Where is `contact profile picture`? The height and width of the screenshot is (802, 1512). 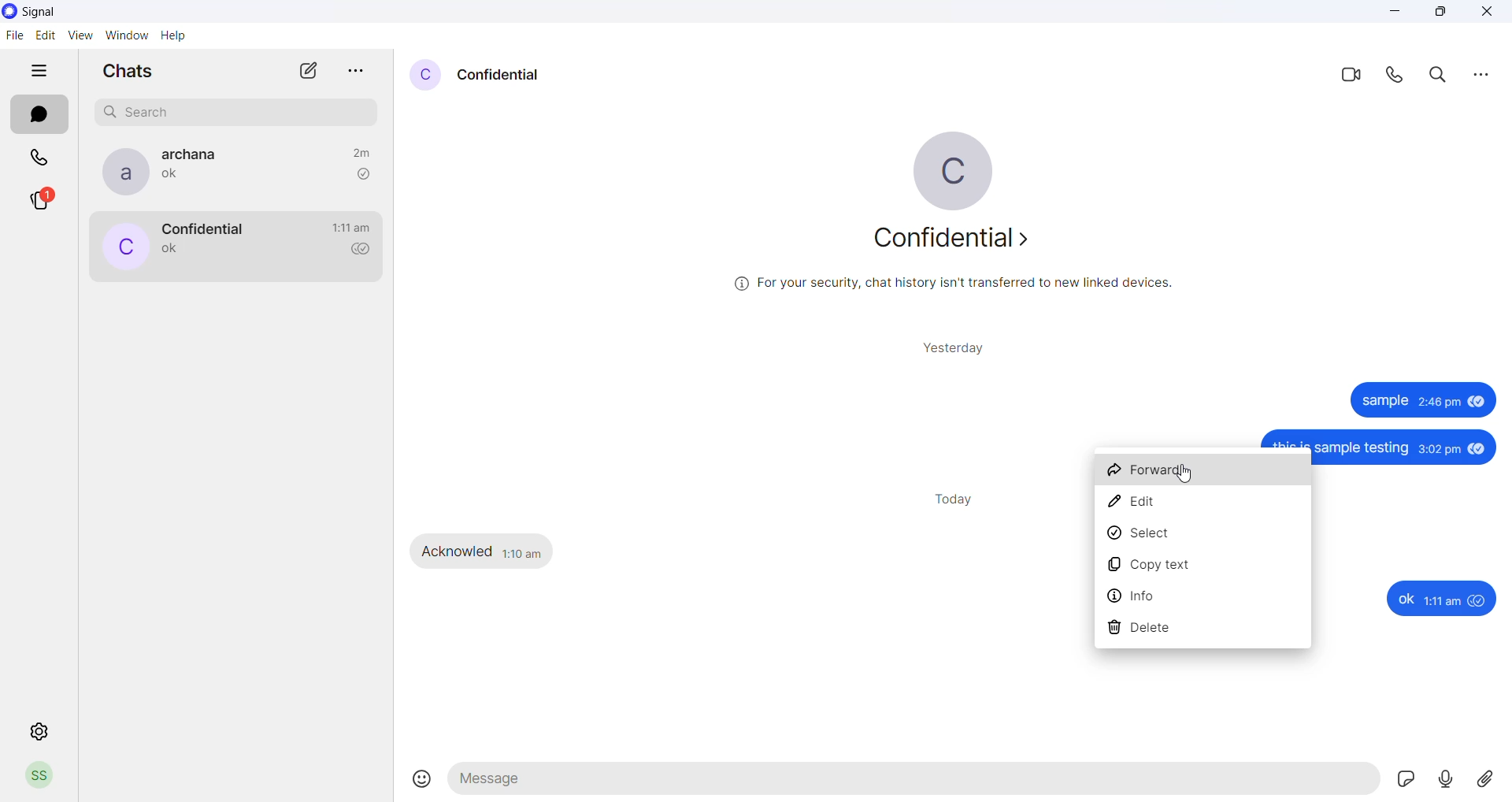 contact profile picture is located at coordinates (424, 75).